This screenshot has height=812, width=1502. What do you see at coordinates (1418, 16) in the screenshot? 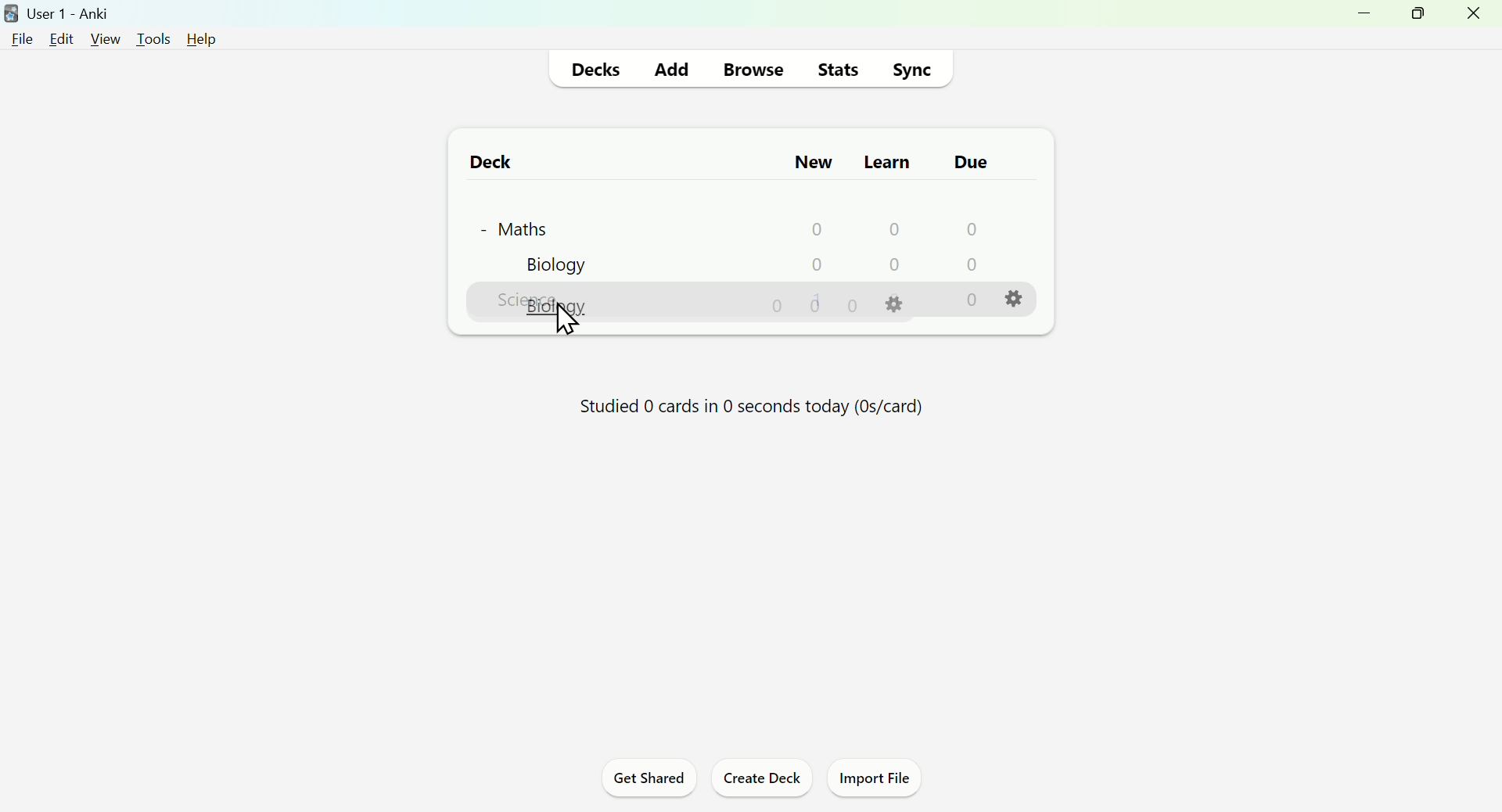
I see `` at bounding box center [1418, 16].